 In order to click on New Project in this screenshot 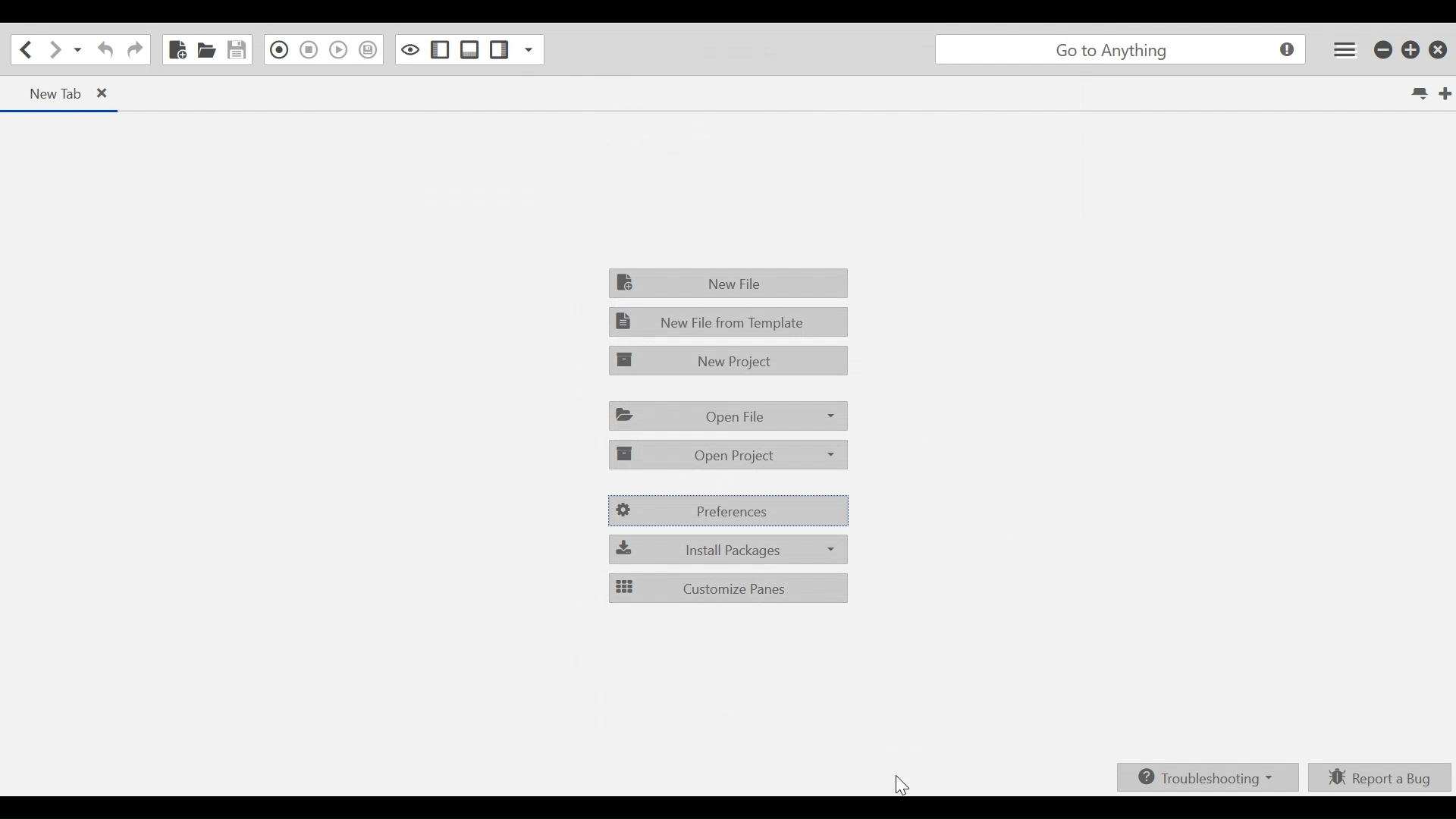, I will do `click(727, 359)`.